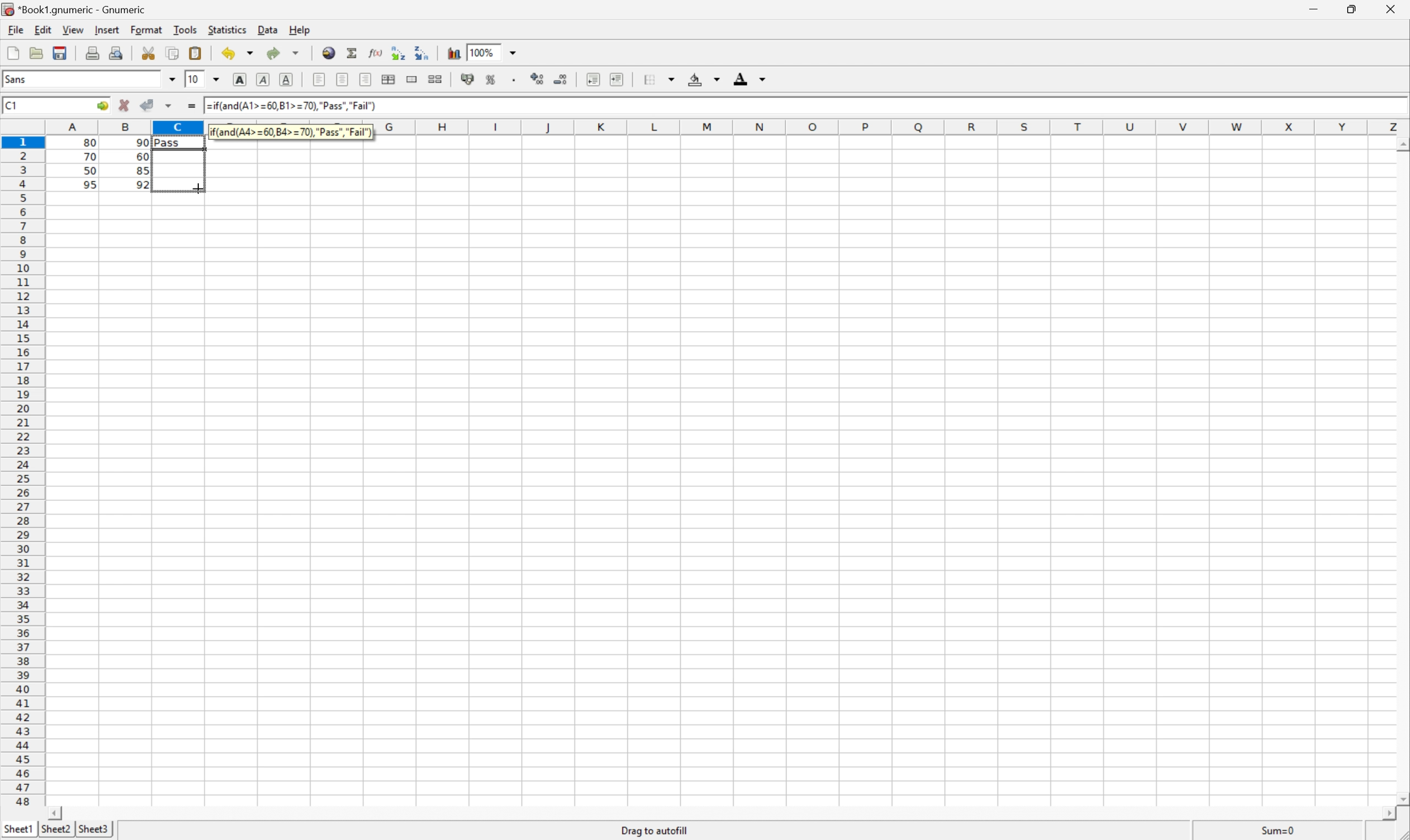 This screenshot has height=840, width=1410. I want to click on Background, so click(704, 79).